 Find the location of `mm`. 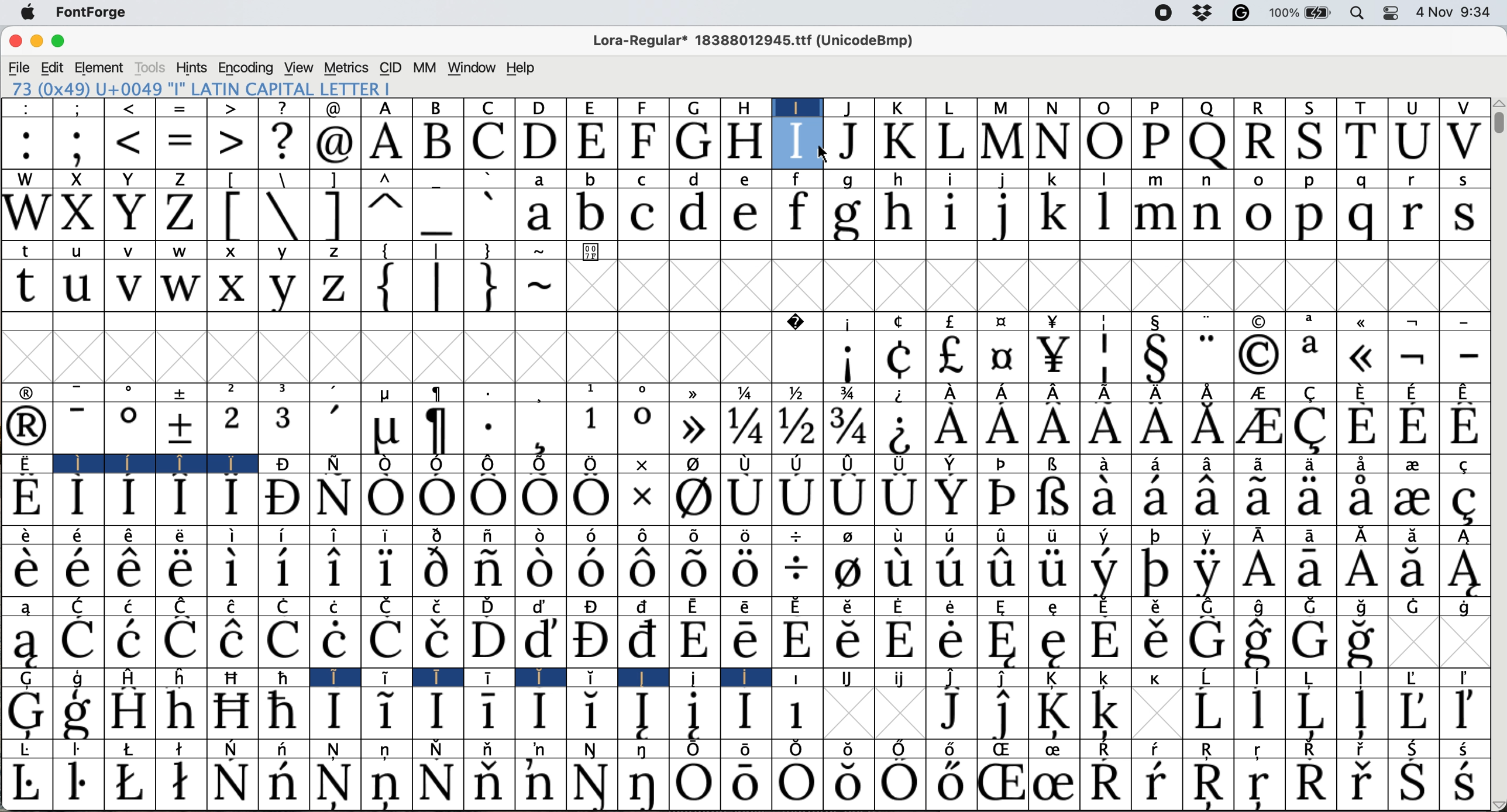

mm is located at coordinates (423, 67).